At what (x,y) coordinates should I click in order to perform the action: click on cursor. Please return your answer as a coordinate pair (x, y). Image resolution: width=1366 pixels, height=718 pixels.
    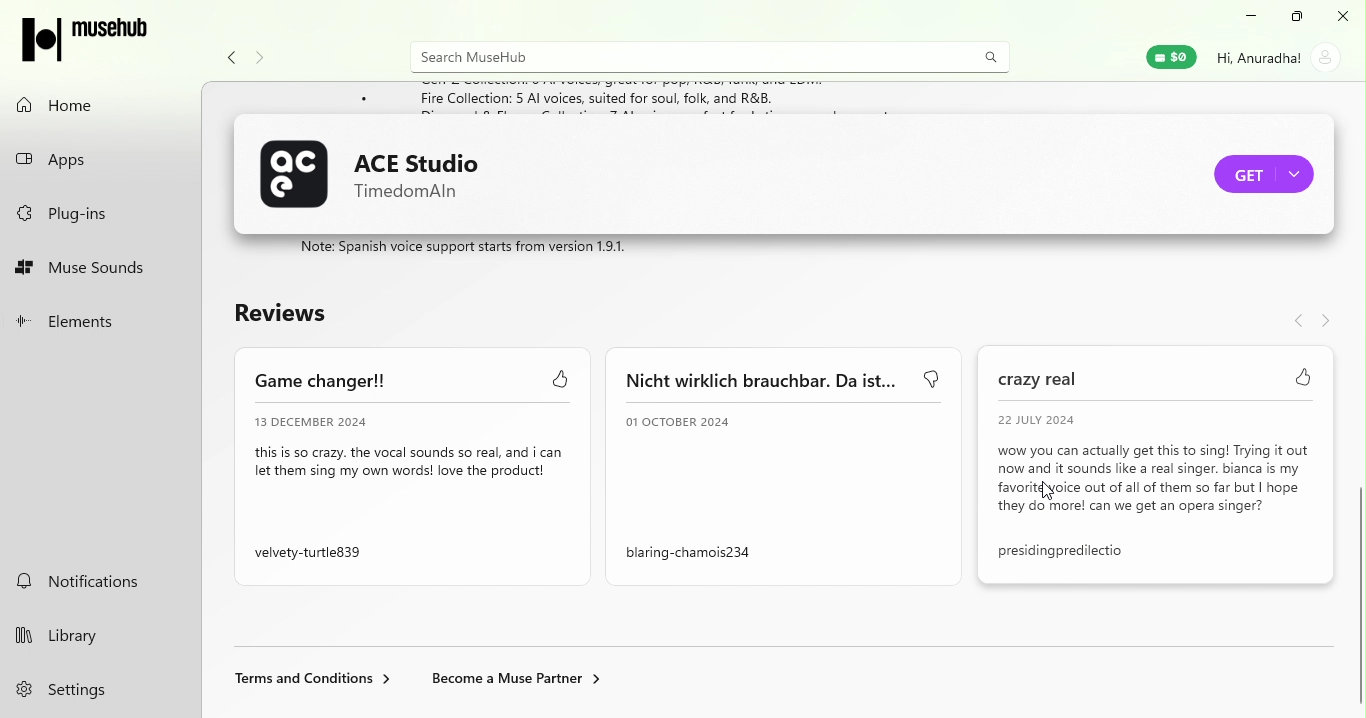
    Looking at the image, I should click on (1044, 495).